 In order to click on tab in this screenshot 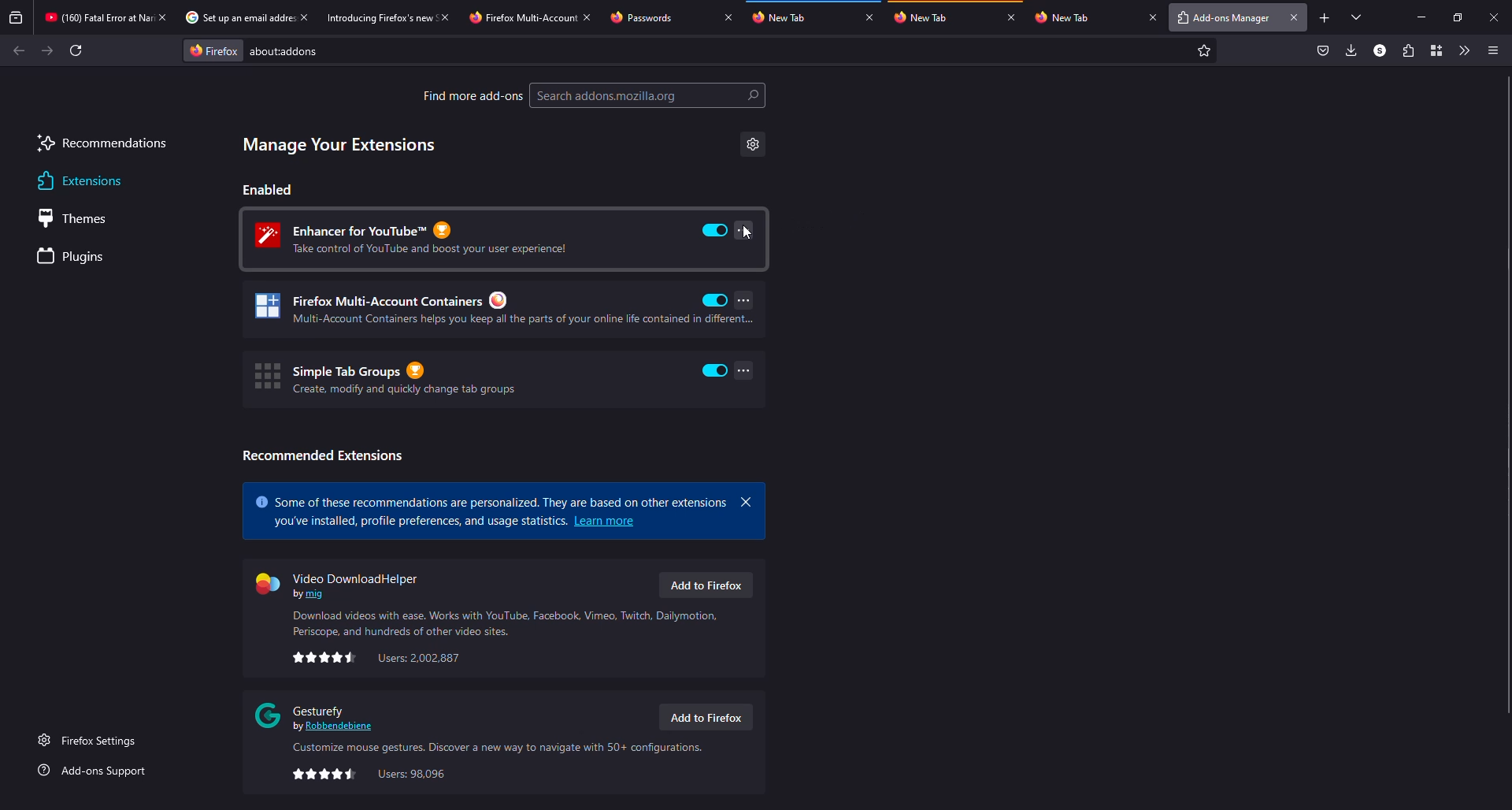, I will do `click(521, 18)`.